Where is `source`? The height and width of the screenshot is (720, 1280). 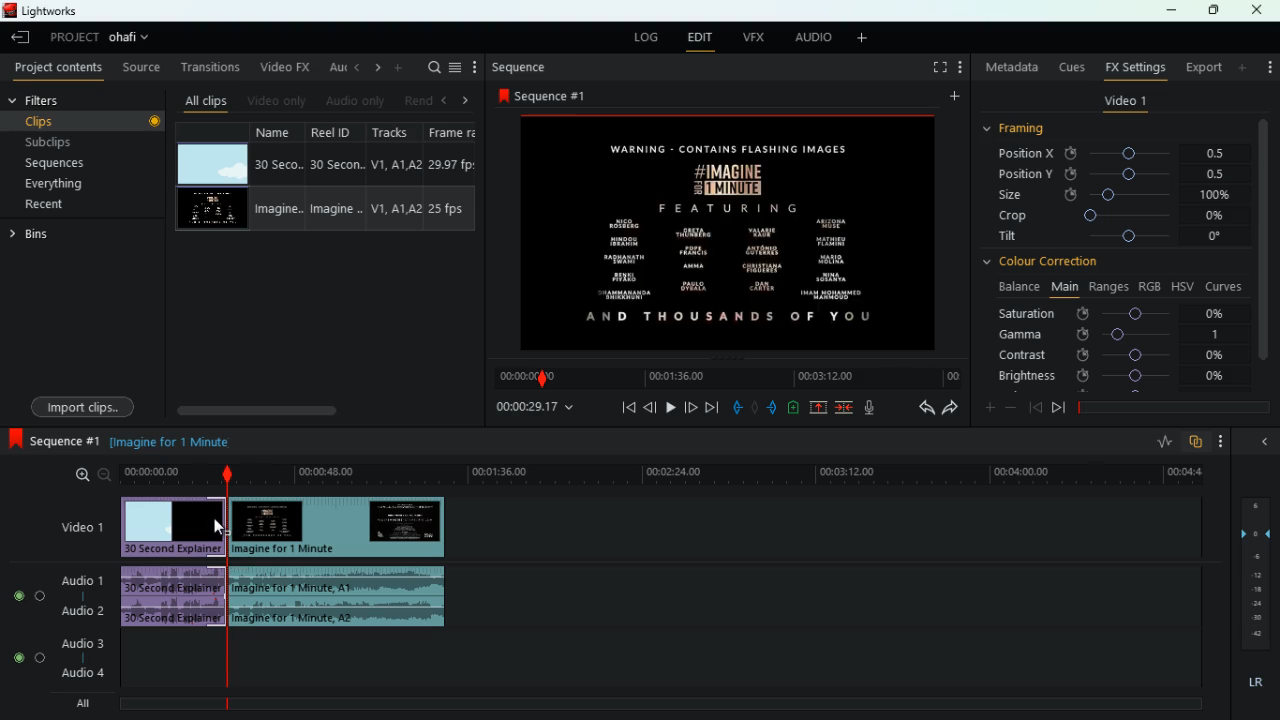 source is located at coordinates (143, 69).